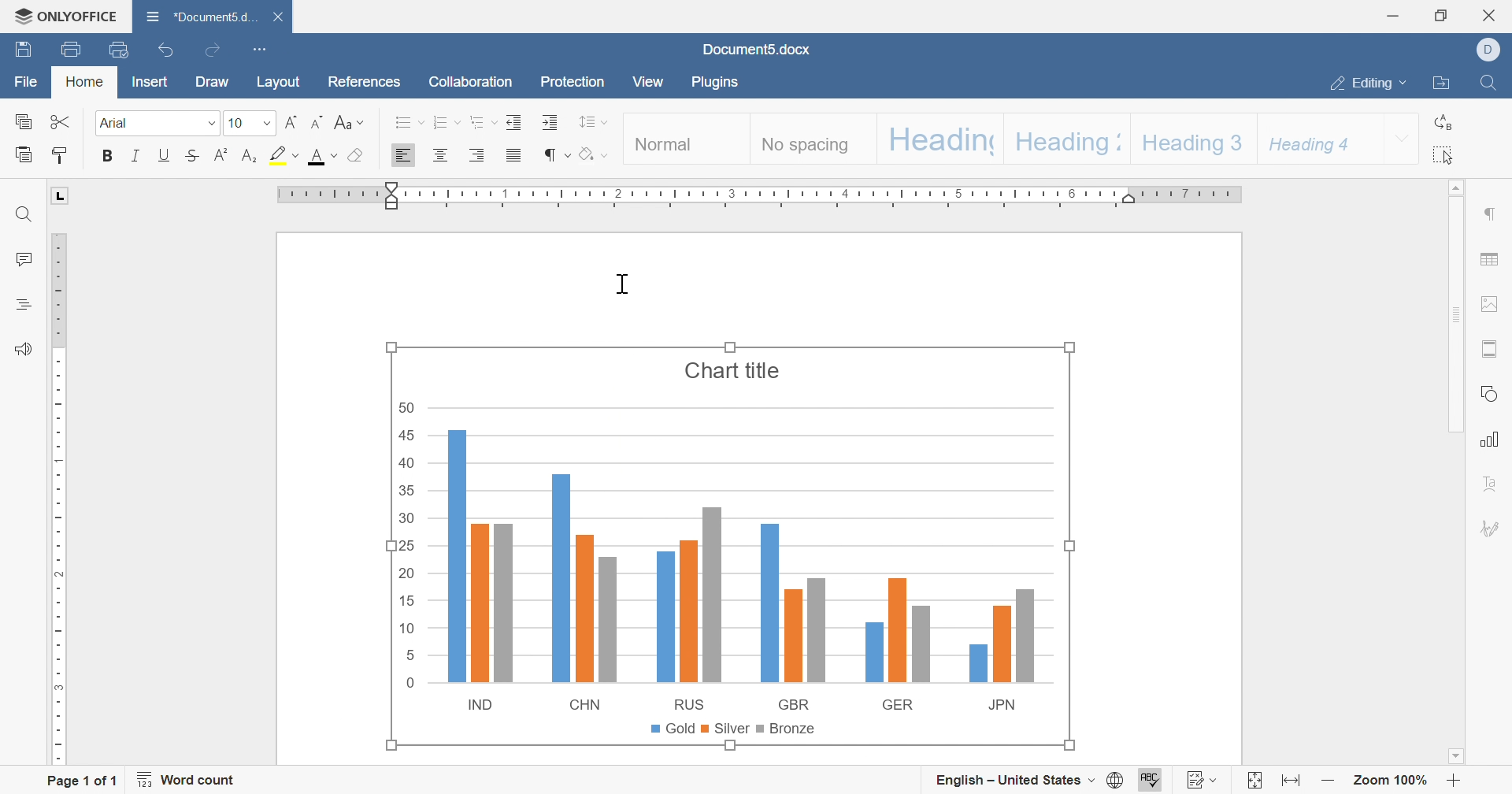 The image size is (1512, 794). I want to click on chart settings, so click(1492, 440).